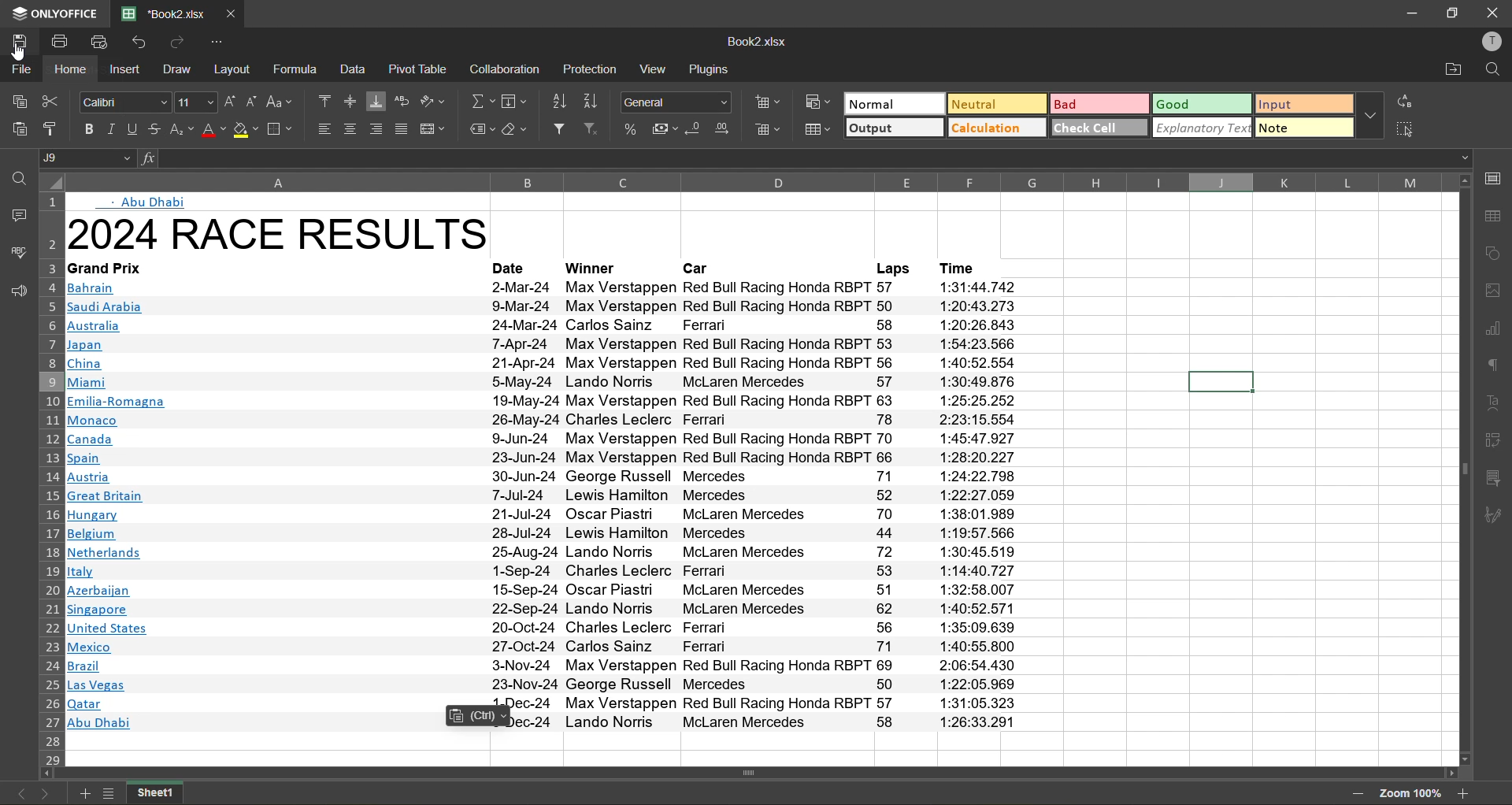 This screenshot has height=805, width=1512. Describe the element at coordinates (1101, 103) in the screenshot. I see `bad` at that location.